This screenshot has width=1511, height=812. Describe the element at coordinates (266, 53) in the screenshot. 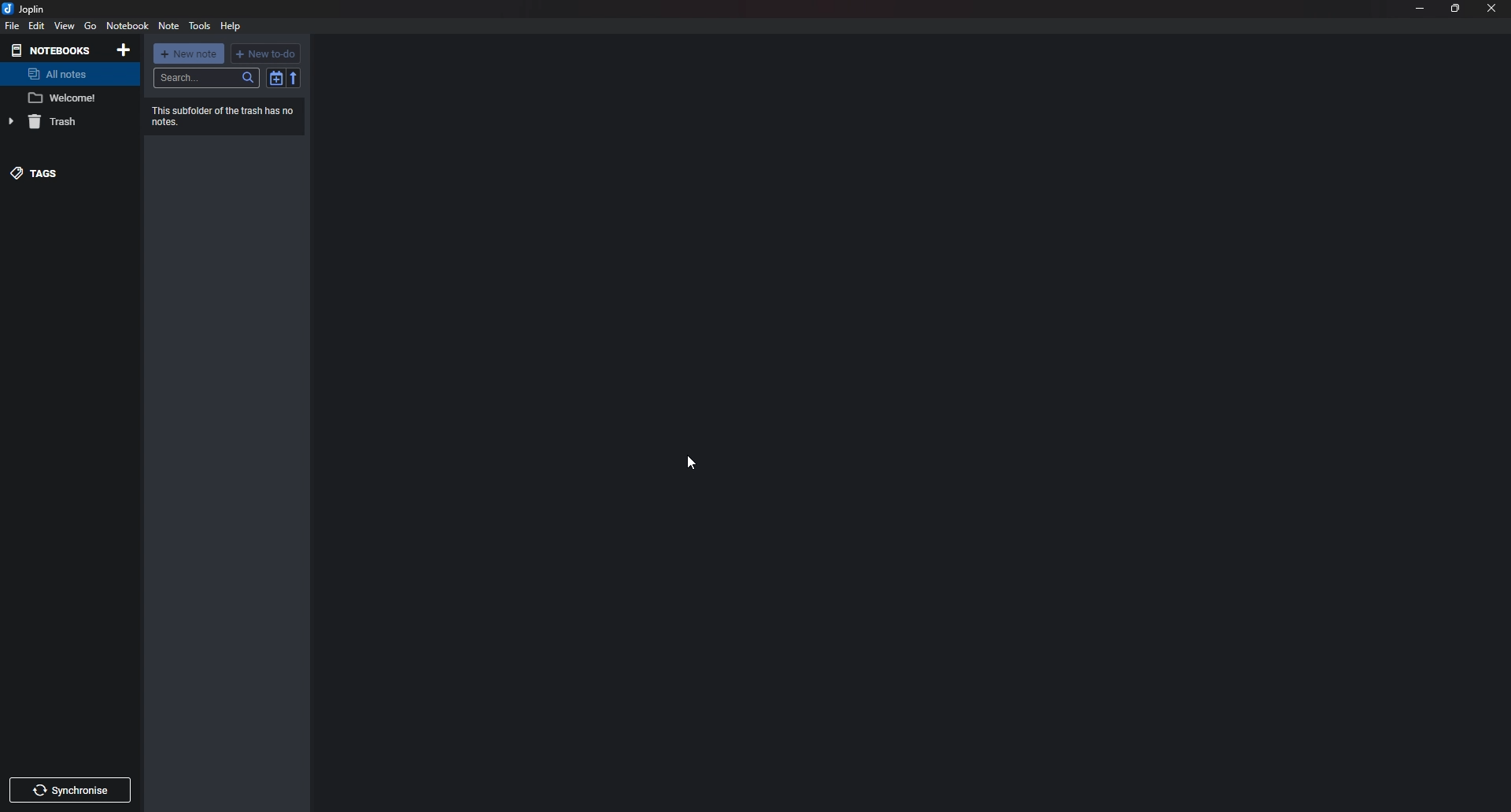

I see `new to do` at that location.